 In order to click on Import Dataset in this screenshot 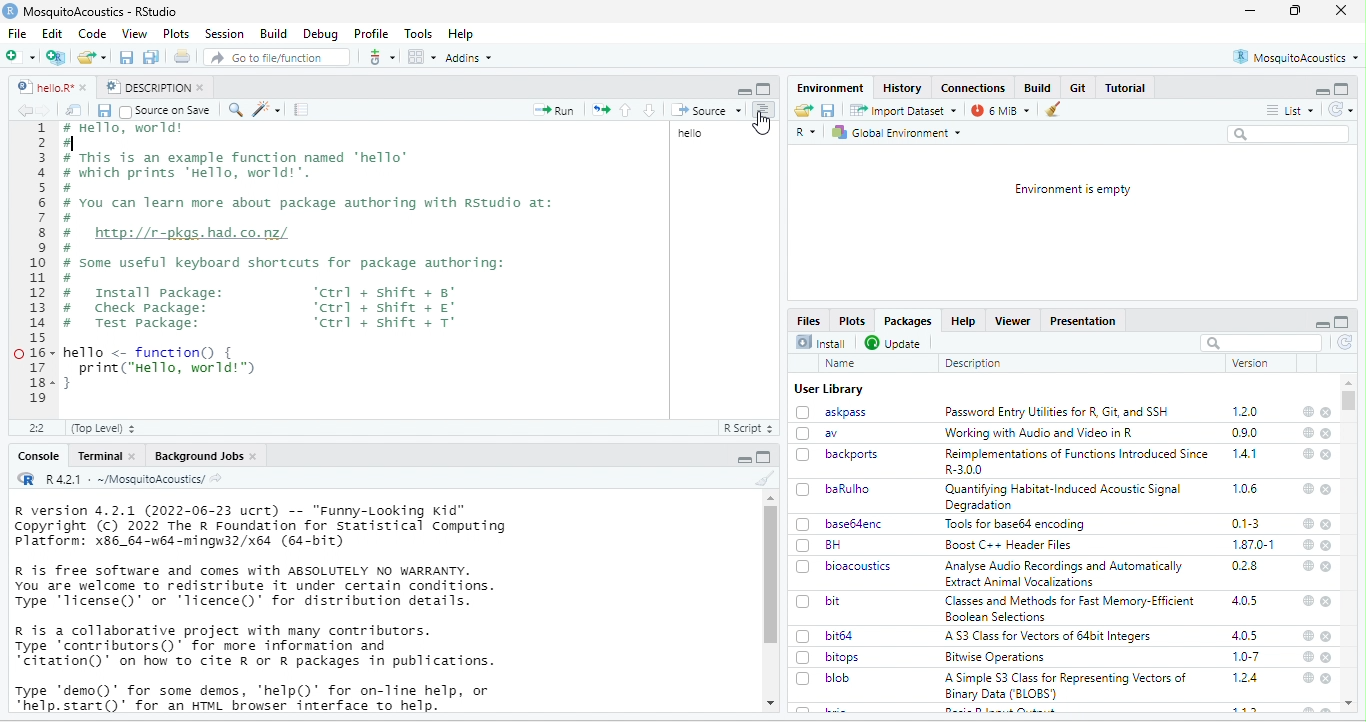, I will do `click(903, 110)`.